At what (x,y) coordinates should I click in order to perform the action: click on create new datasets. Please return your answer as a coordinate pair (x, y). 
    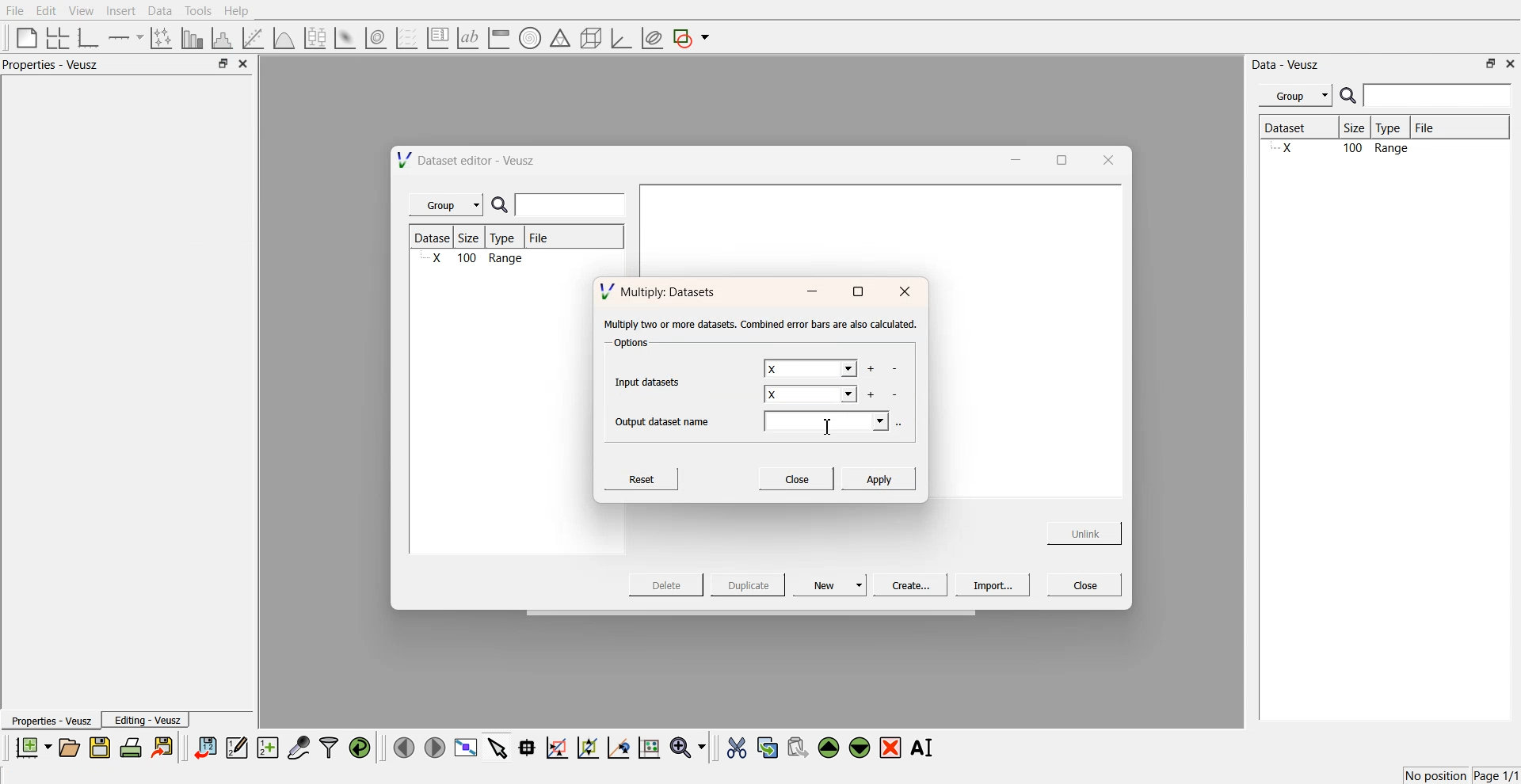
    Looking at the image, I should click on (268, 748).